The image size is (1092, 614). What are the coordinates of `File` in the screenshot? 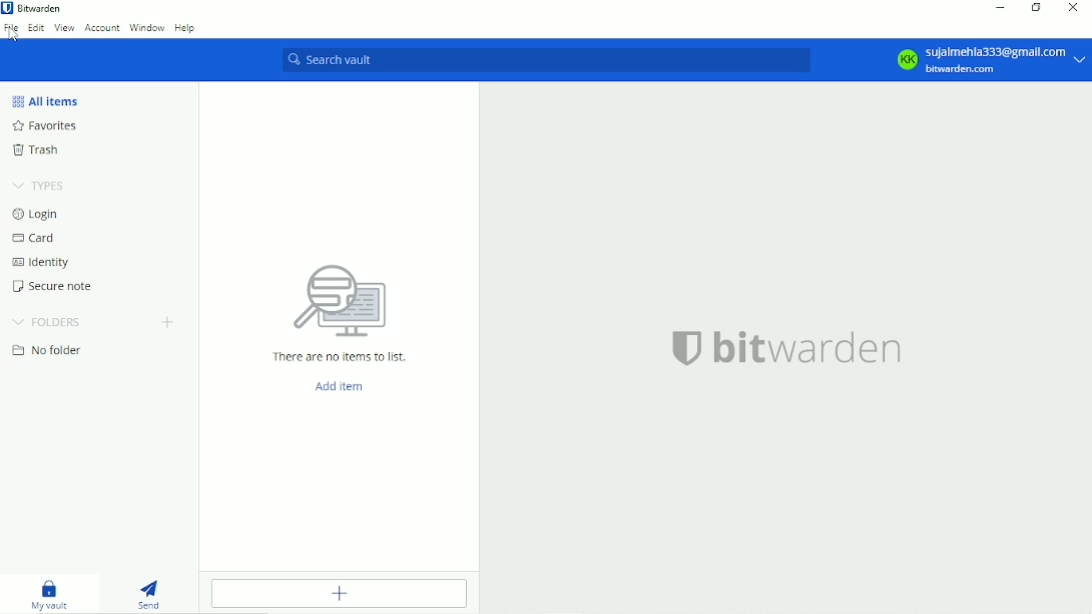 It's located at (11, 28).